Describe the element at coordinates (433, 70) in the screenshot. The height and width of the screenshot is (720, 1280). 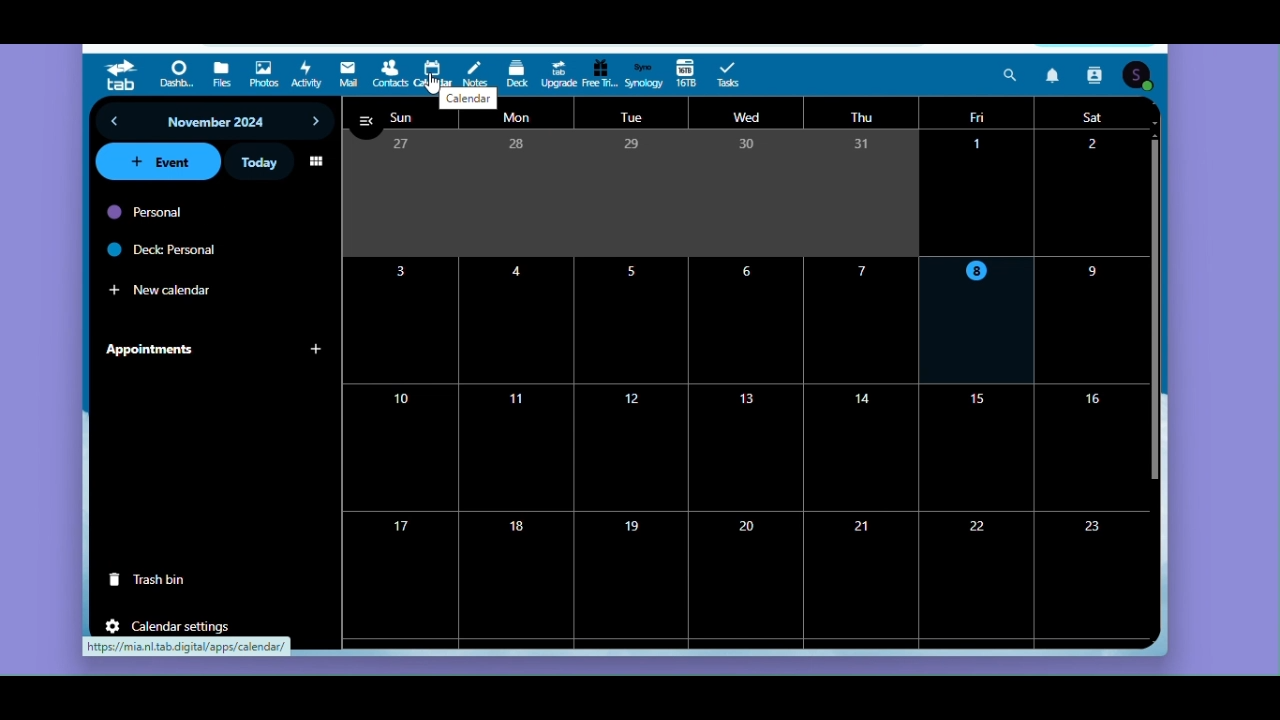
I see `Calendar` at that location.